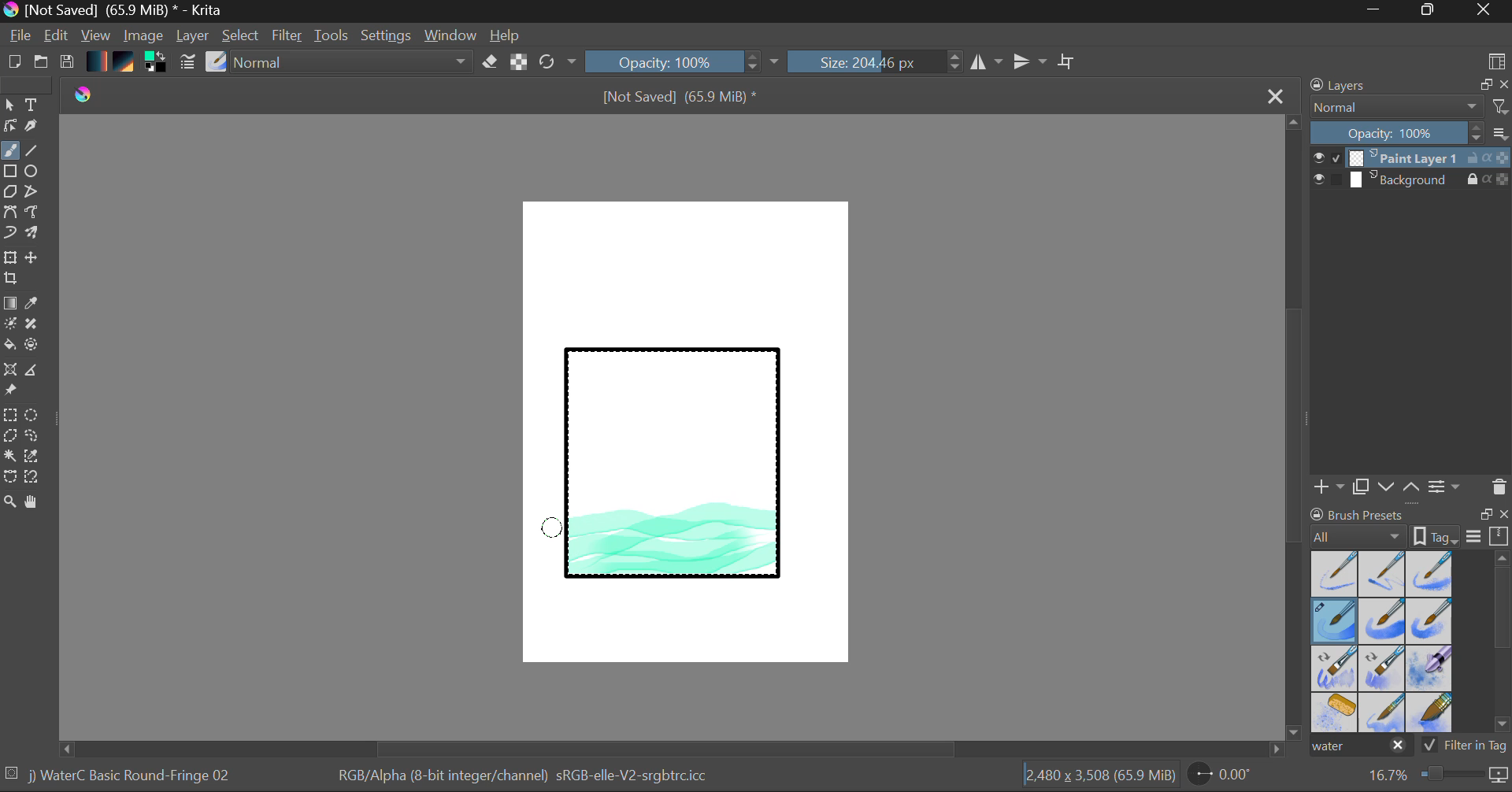 Image resolution: width=1512 pixels, height=792 pixels. Describe the element at coordinates (13, 279) in the screenshot. I see `Crop` at that location.